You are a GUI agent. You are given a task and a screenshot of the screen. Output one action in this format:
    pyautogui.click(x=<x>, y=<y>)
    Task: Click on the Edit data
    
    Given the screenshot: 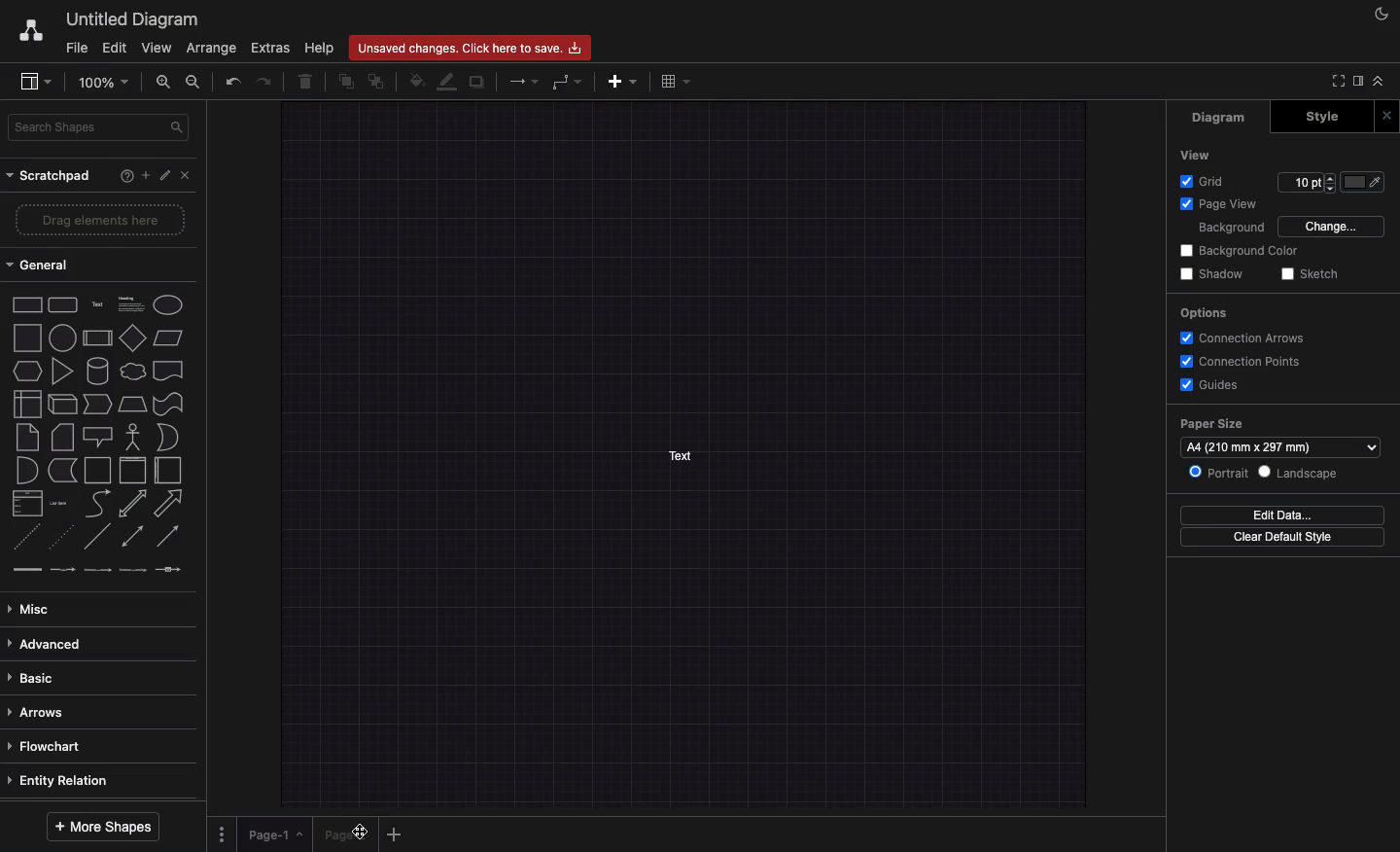 What is the action you would take?
    pyautogui.click(x=1281, y=516)
    